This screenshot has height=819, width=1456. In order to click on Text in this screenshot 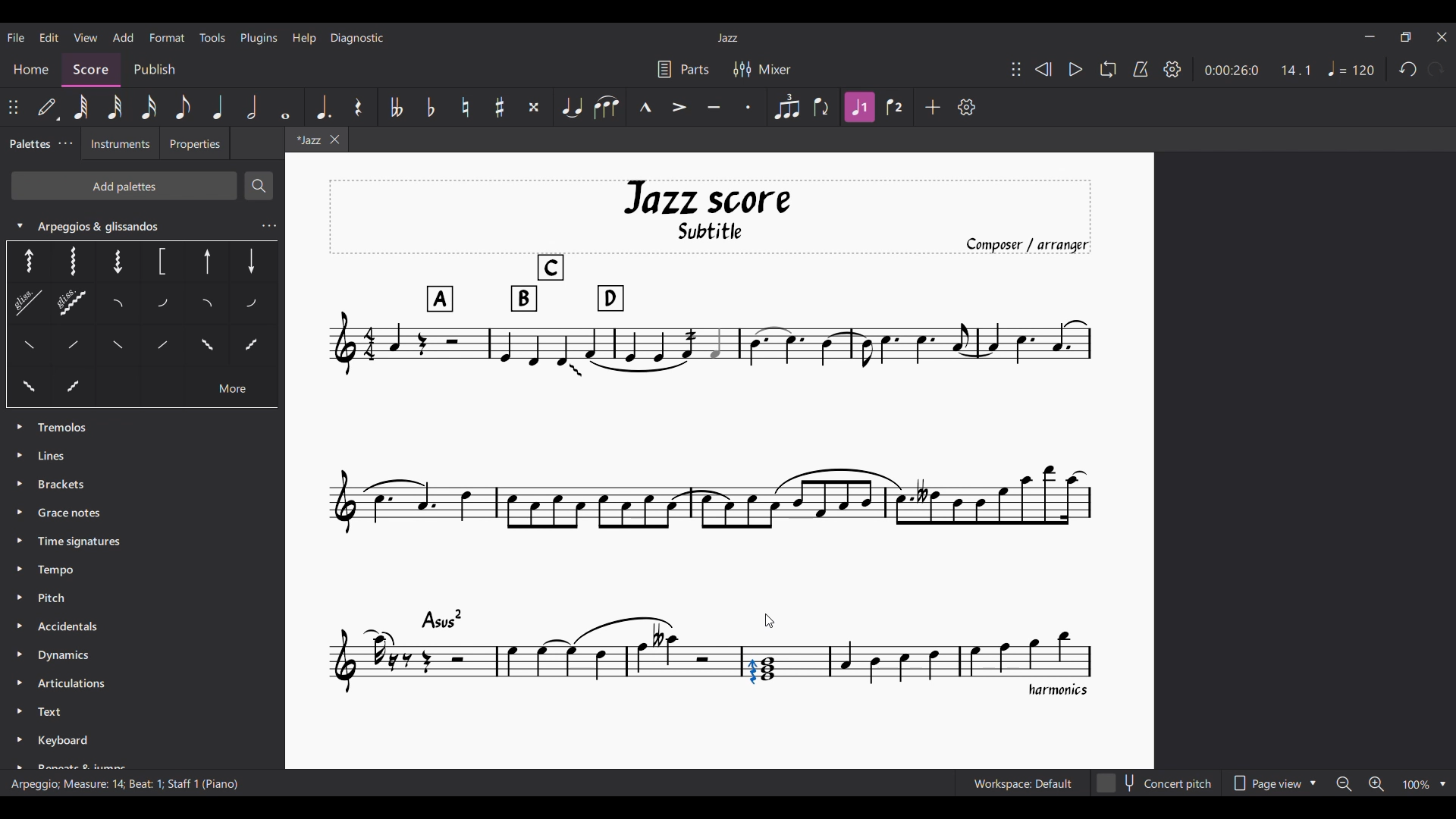, I will do `click(55, 713)`.